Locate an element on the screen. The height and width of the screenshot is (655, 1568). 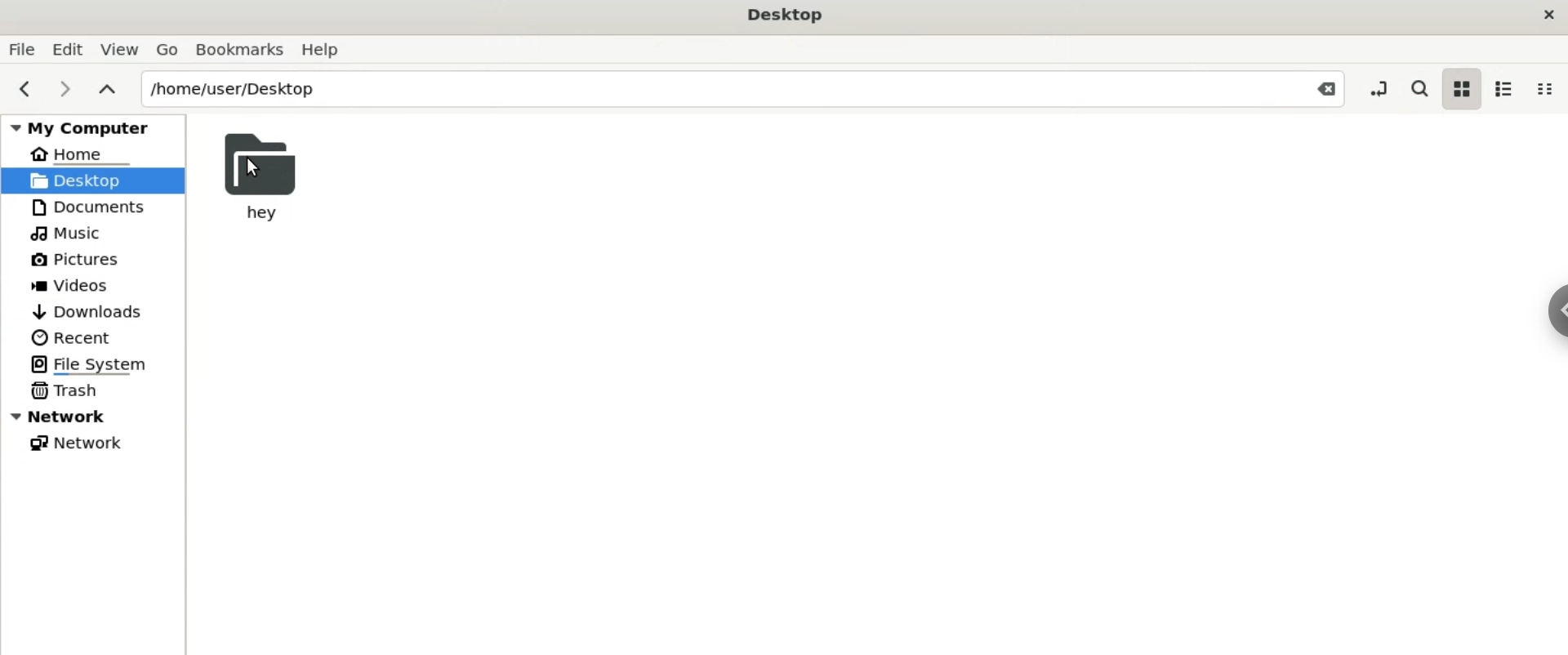
view is located at coordinates (118, 49).